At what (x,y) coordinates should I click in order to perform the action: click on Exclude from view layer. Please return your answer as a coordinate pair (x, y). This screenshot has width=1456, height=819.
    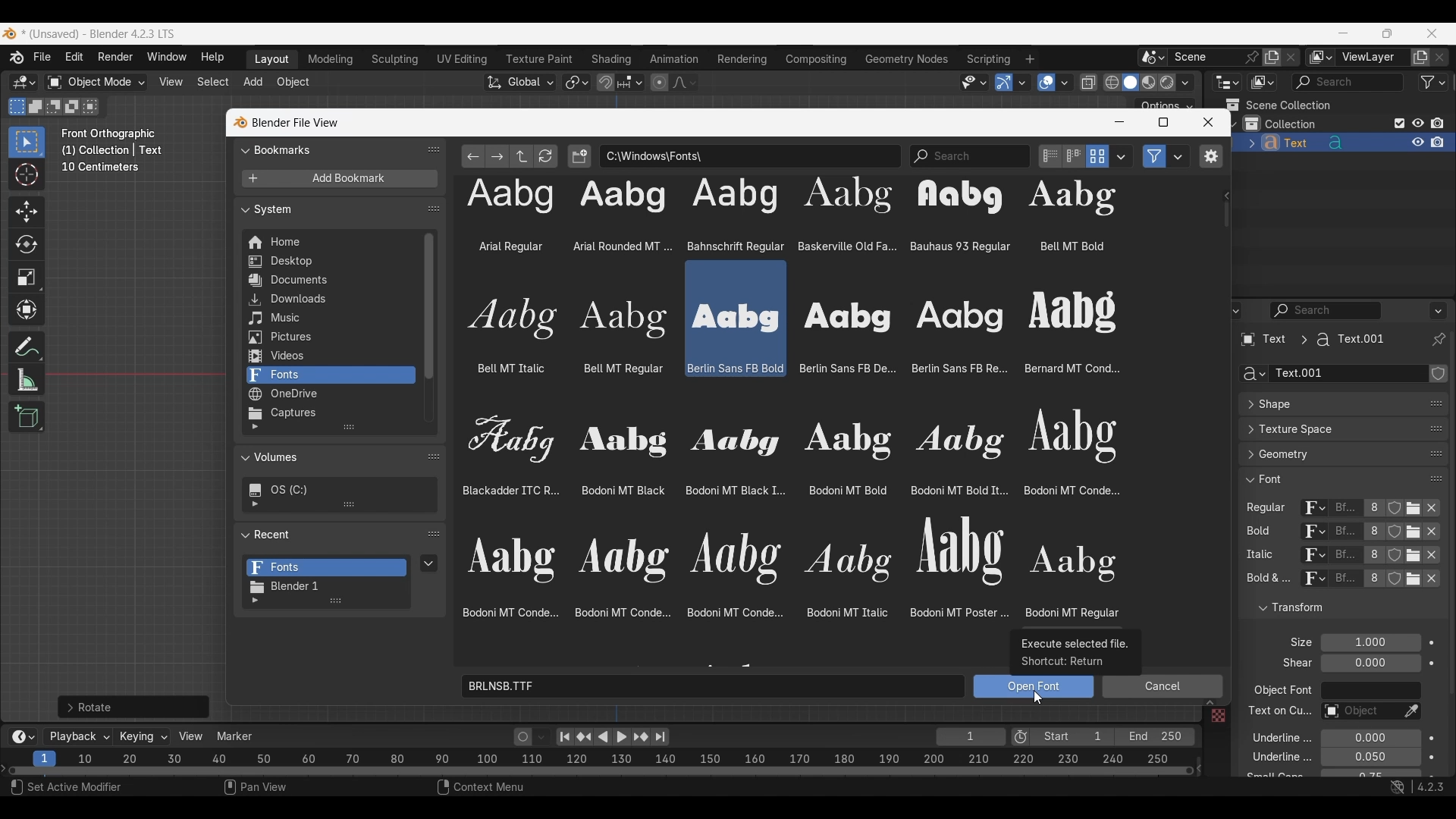
    Looking at the image, I should click on (1400, 123).